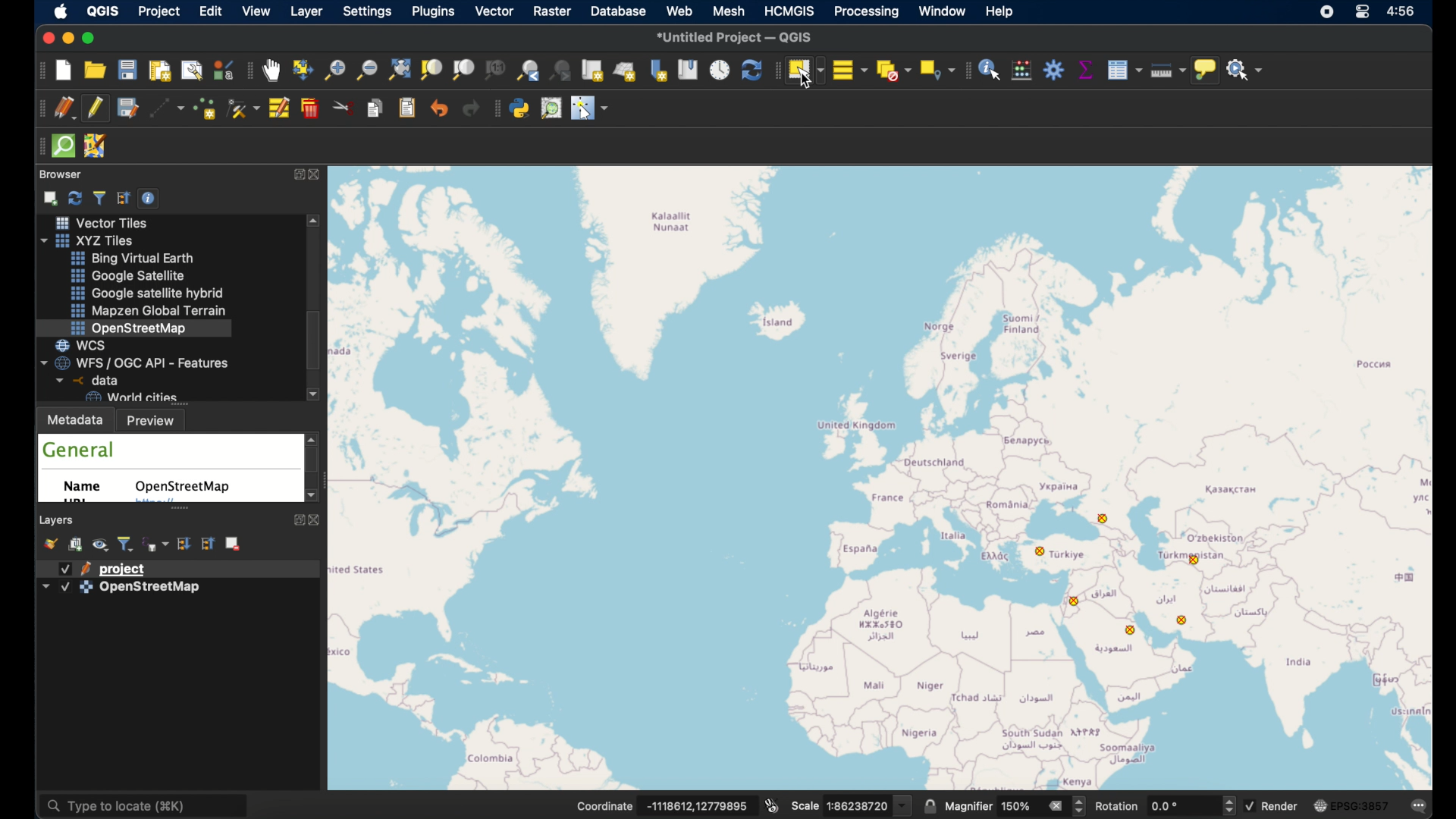 The width and height of the screenshot is (1456, 819). I want to click on lock scale, so click(930, 805).